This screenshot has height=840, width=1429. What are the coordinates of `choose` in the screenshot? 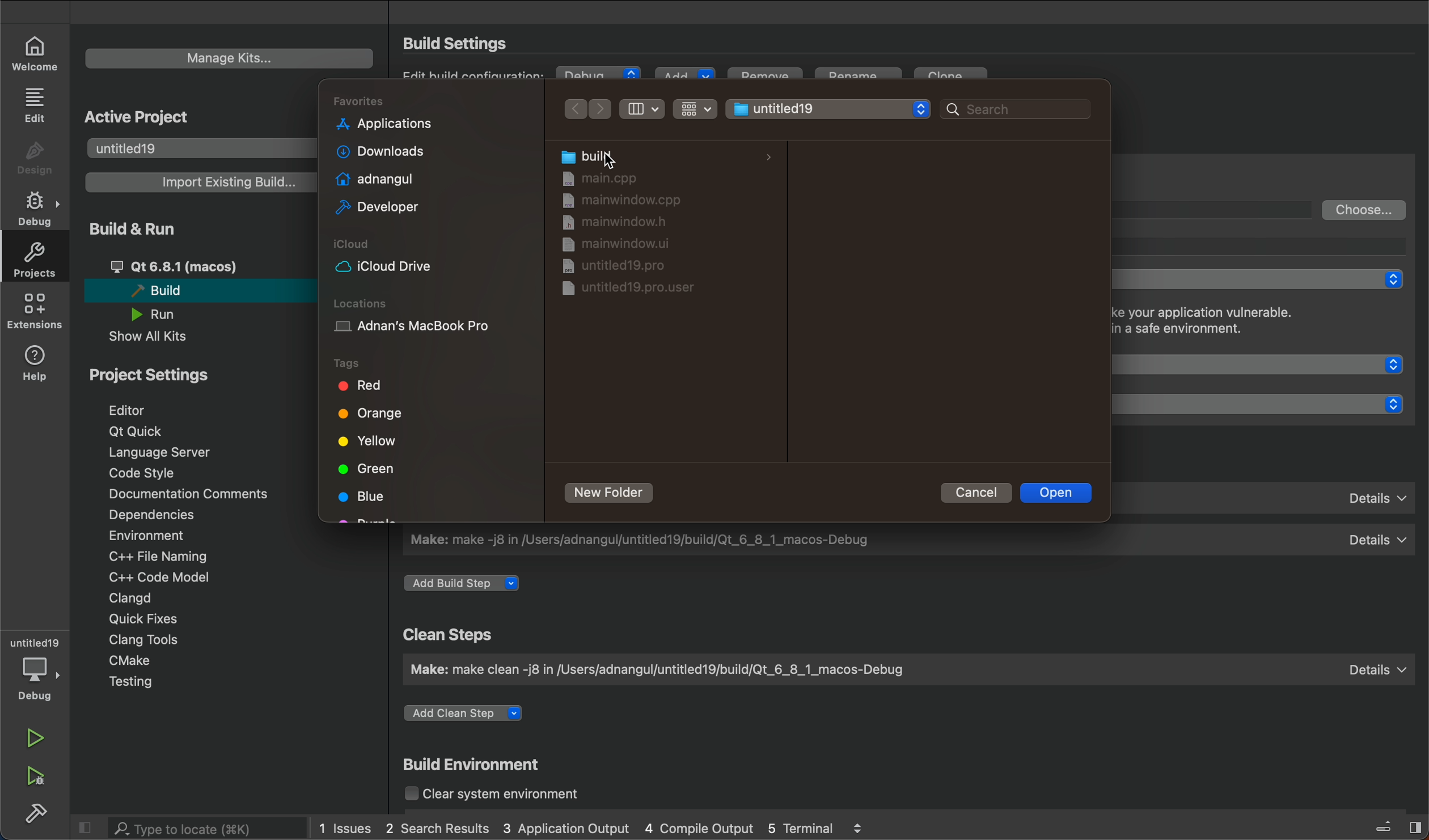 It's located at (1365, 209).